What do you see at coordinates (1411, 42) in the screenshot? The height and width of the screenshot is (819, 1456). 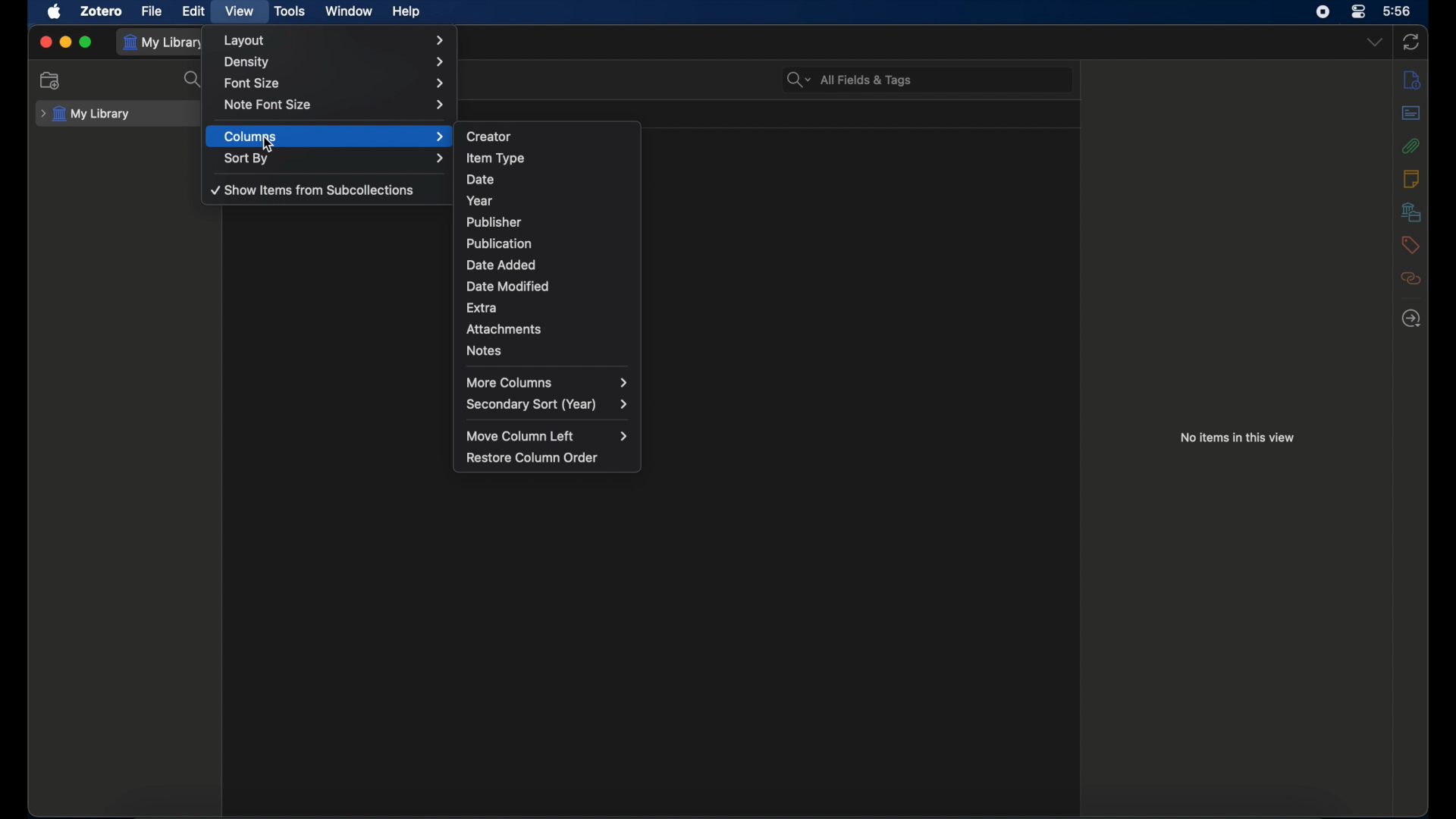 I see `sync` at bounding box center [1411, 42].